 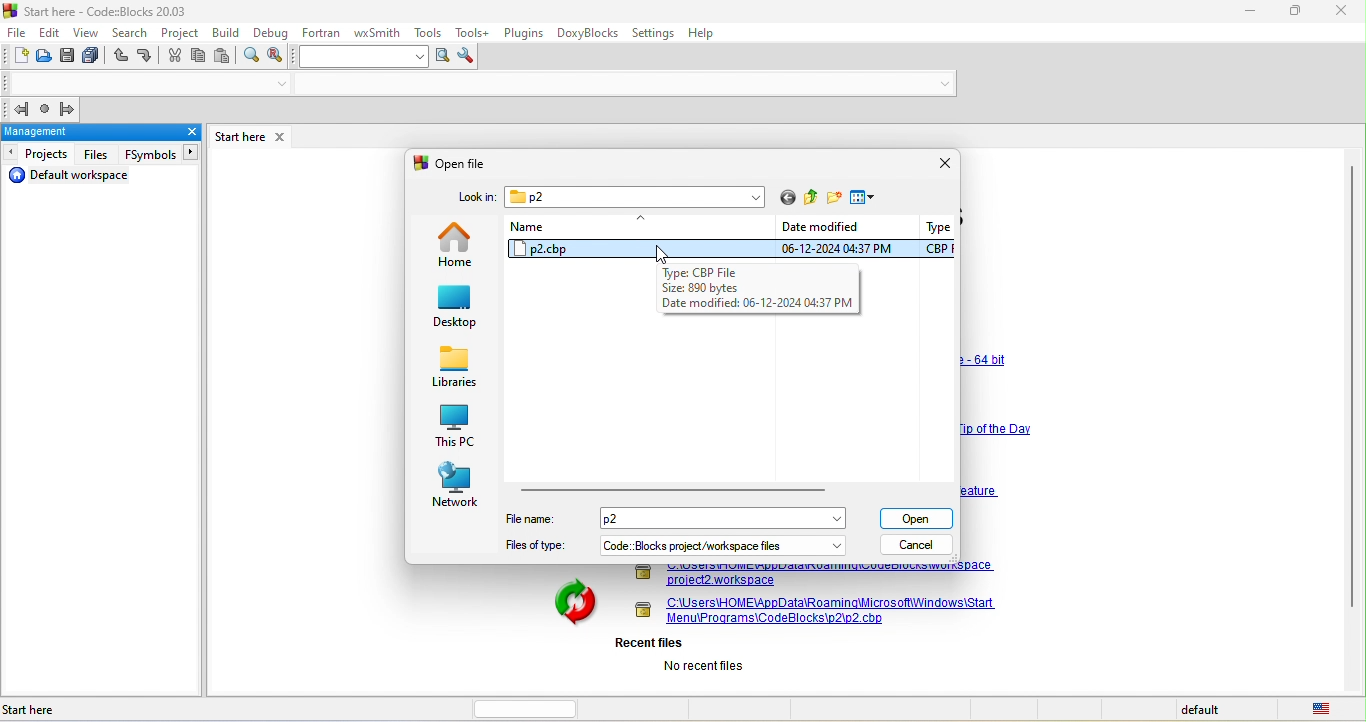 I want to click on dropdown, so click(x=841, y=519).